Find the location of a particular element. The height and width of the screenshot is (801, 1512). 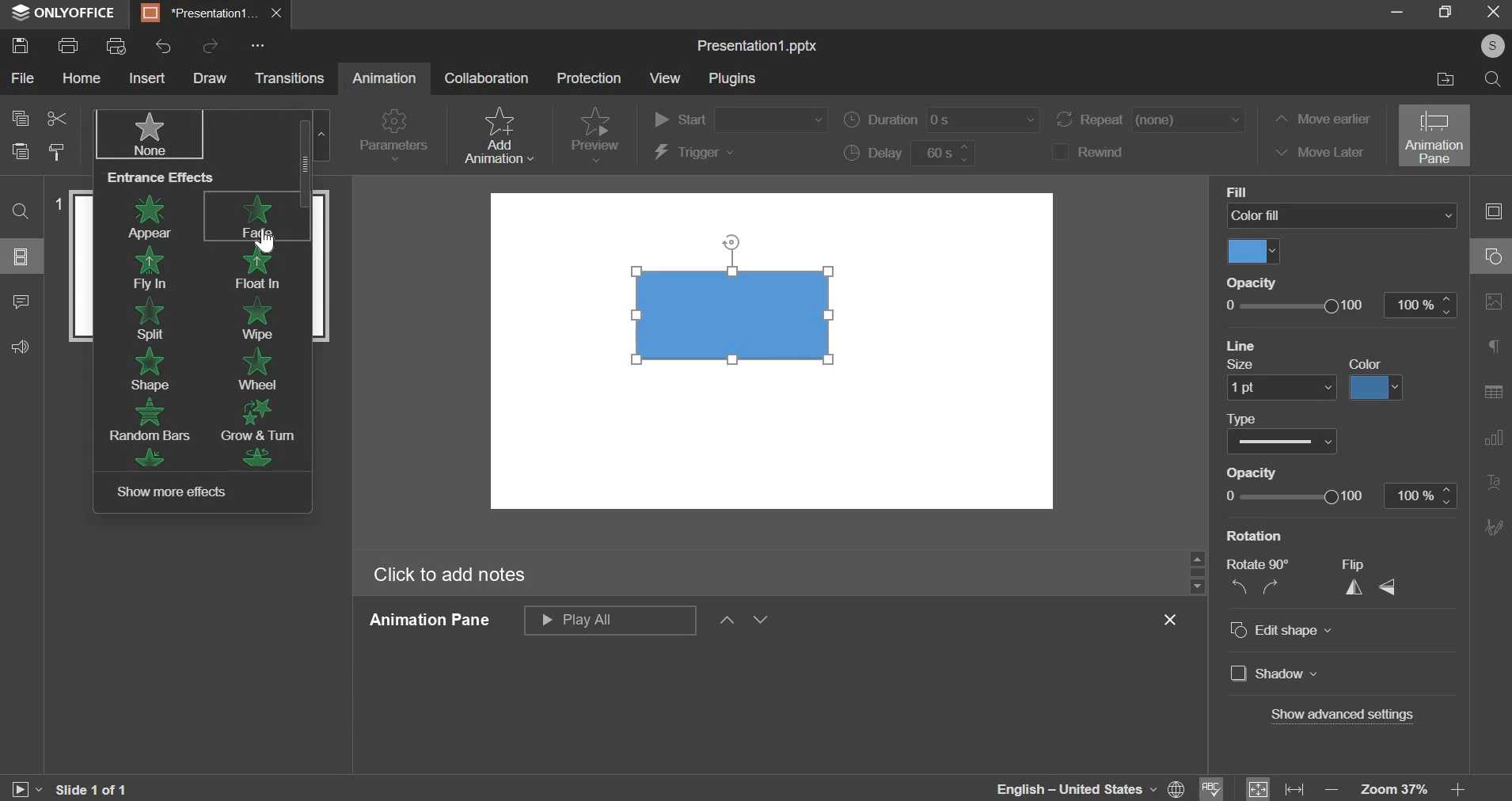

Rotation is located at coordinates (1252, 536).